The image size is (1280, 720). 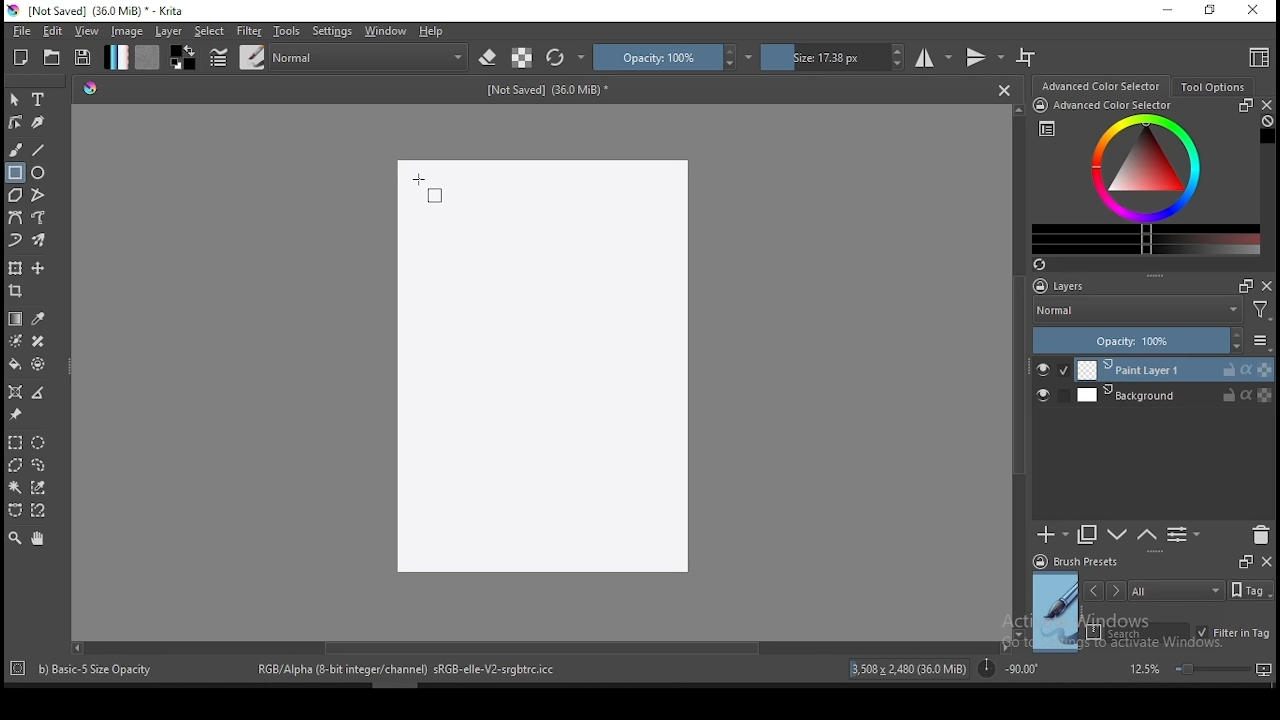 What do you see at coordinates (1255, 11) in the screenshot?
I see ` close window` at bounding box center [1255, 11].